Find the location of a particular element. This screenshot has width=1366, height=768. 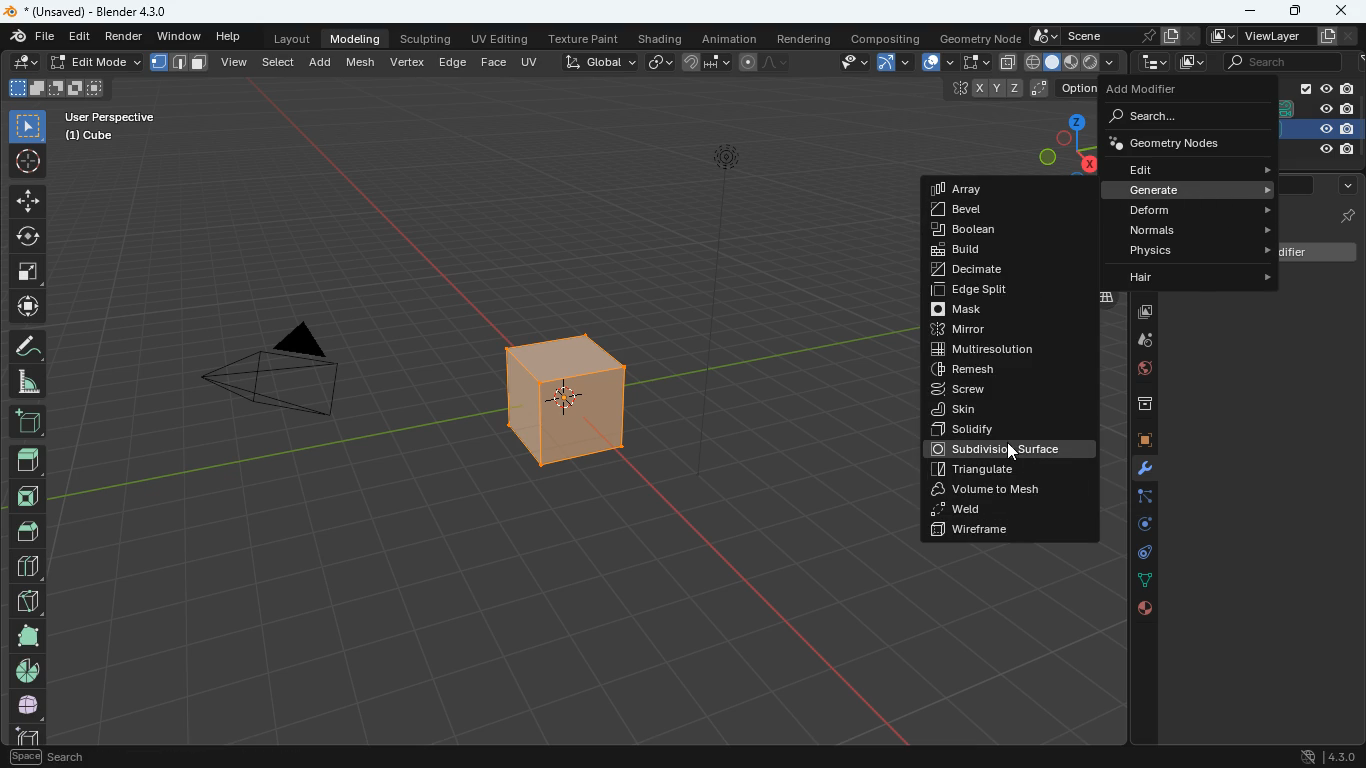

uv editing is located at coordinates (500, 38).